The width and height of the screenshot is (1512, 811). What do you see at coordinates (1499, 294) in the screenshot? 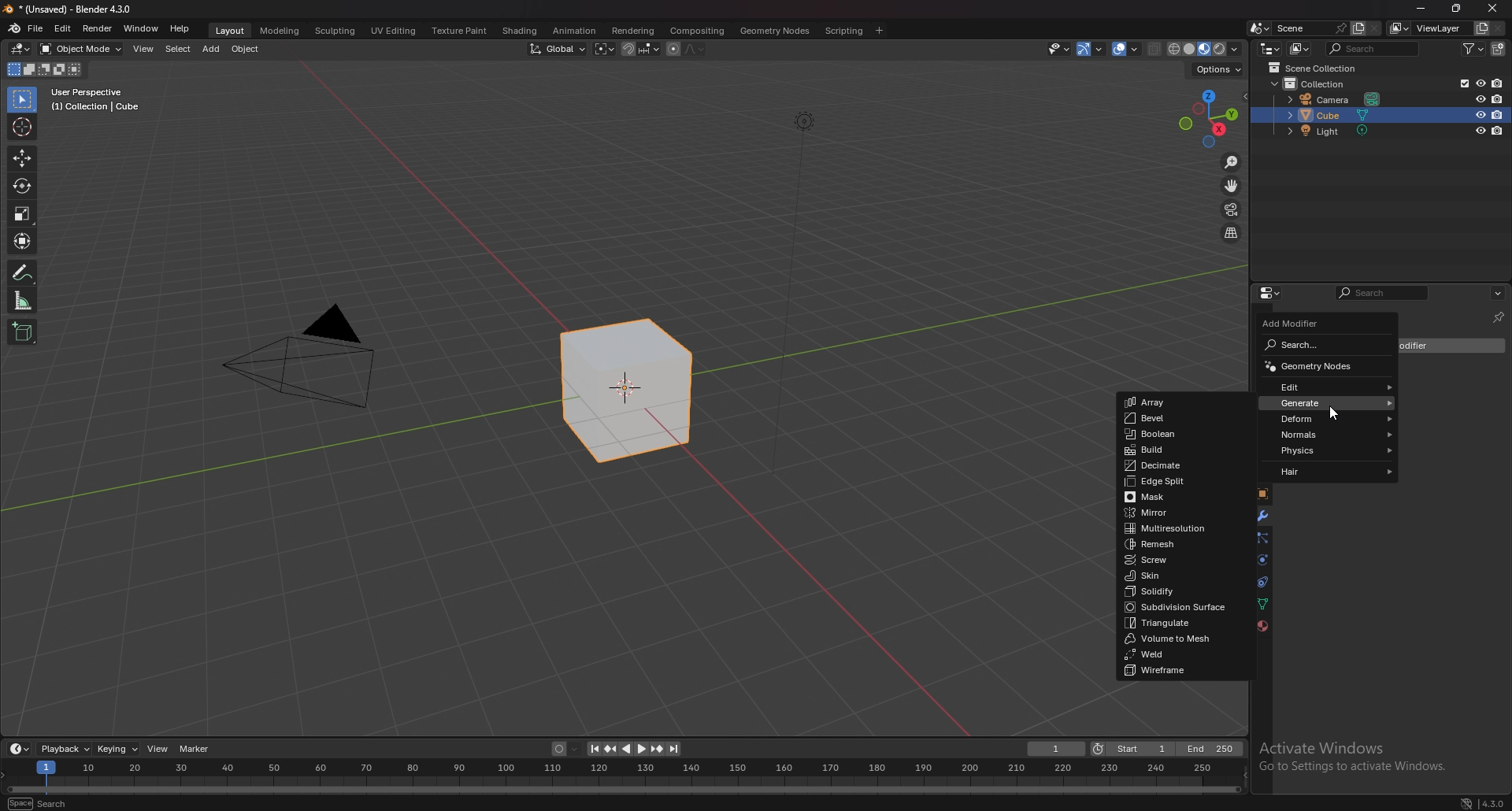
I see `options` at bounding box center [1499, 294].